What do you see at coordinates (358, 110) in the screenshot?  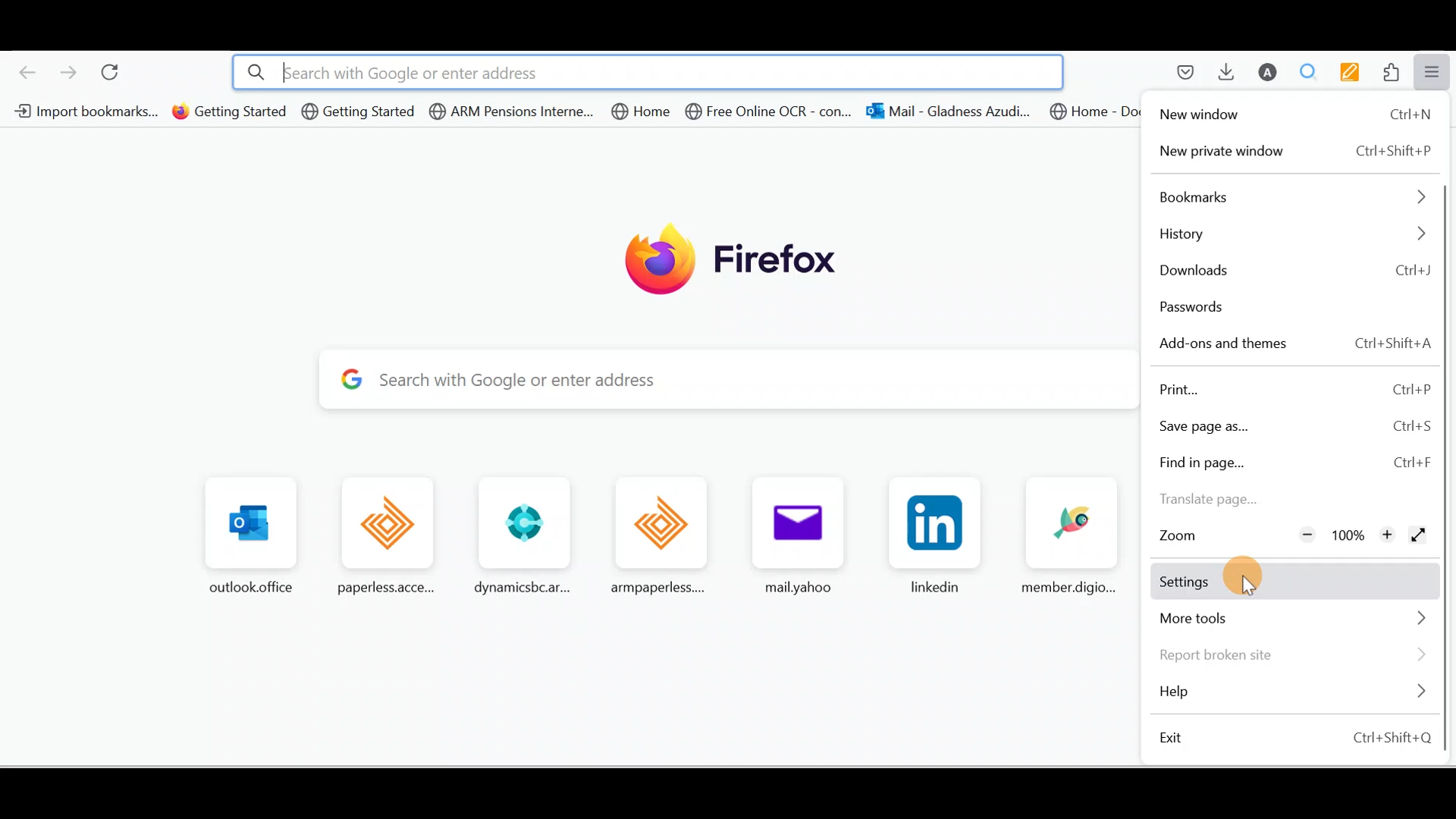 I see `Bookmark 3` at bounding box center [358, 110].